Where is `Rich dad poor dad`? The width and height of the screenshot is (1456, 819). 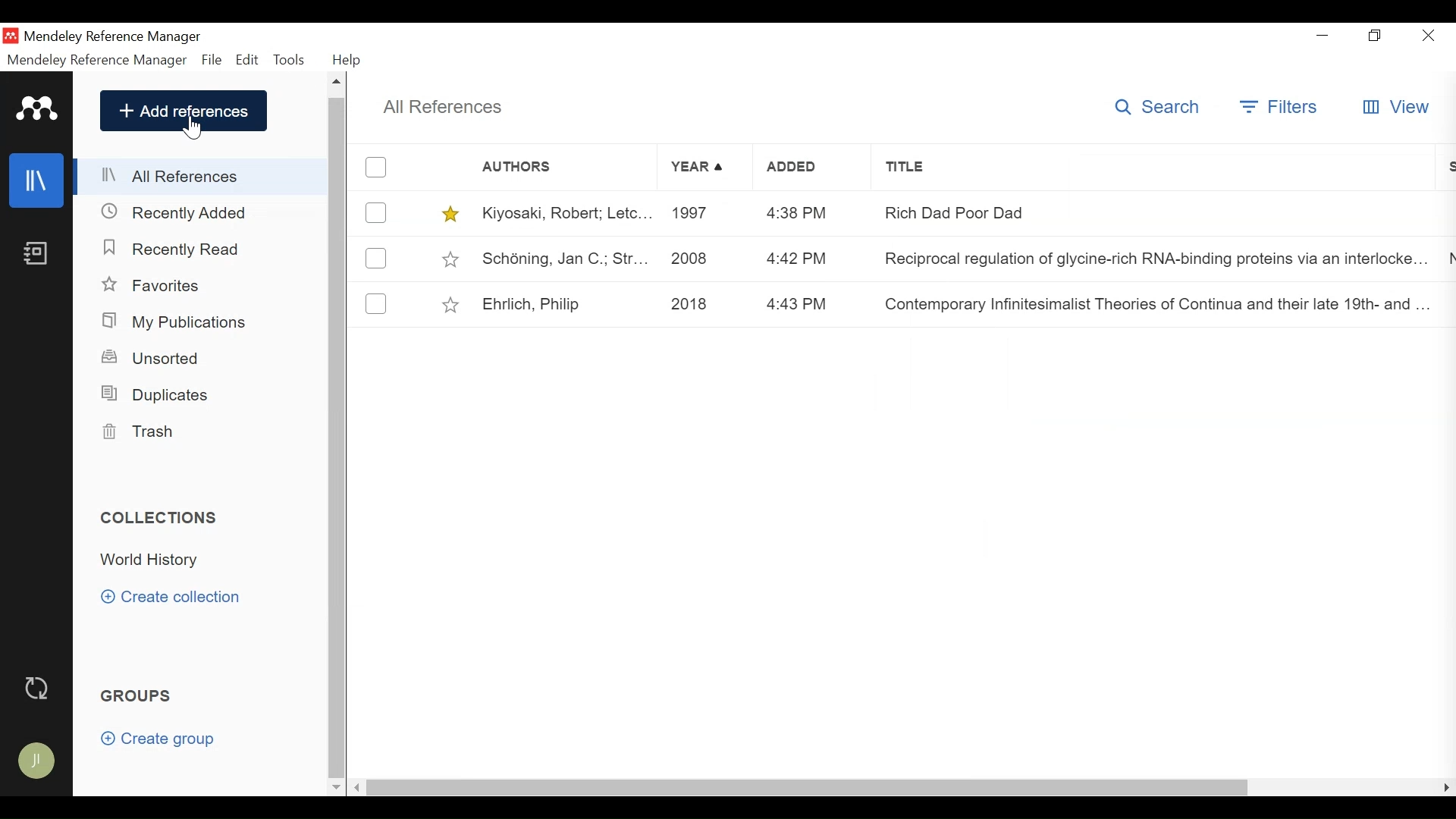
Rich dad poor dad is located at coordinates (1150, 212).